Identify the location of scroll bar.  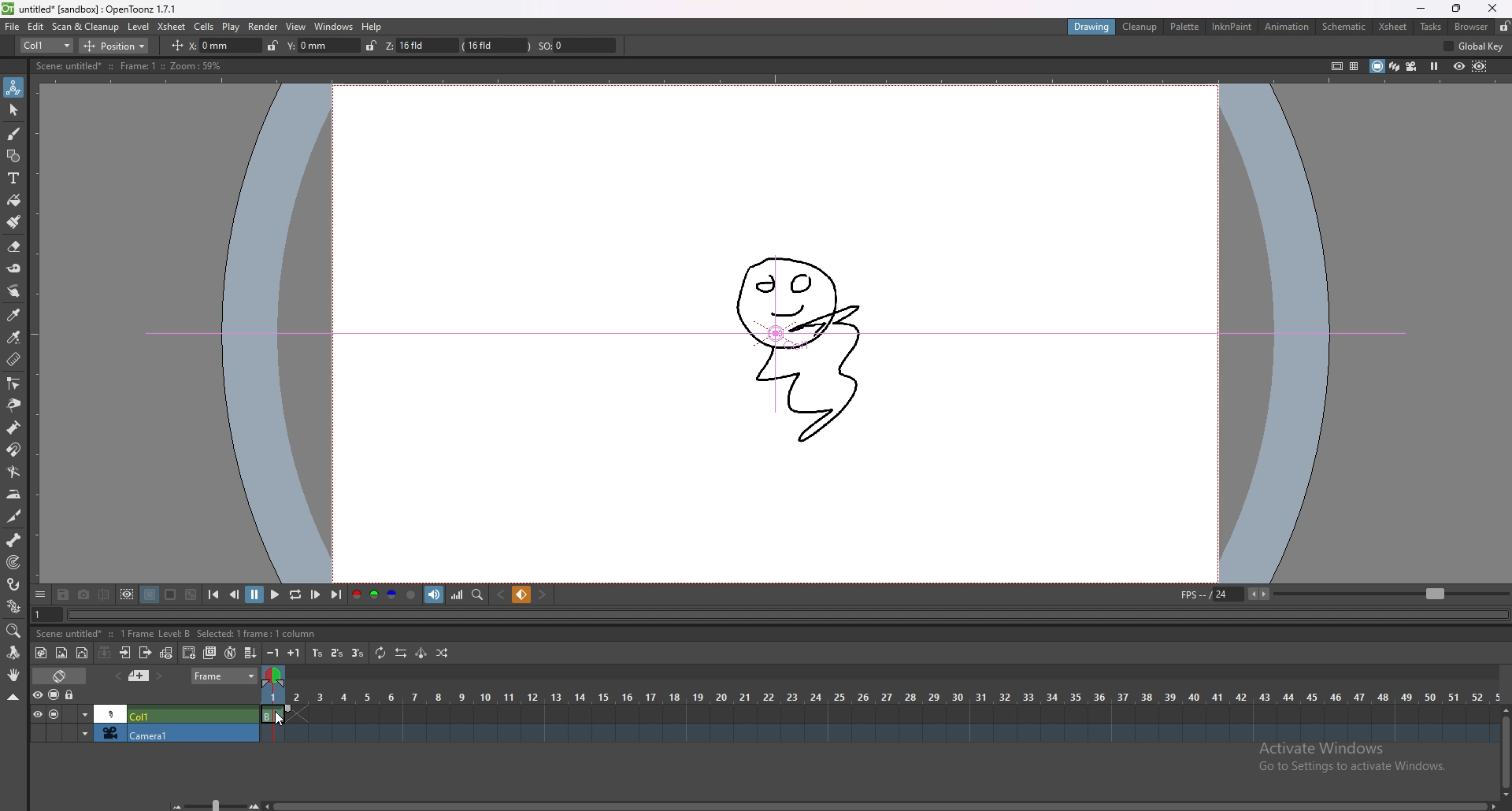
(1505, 749).